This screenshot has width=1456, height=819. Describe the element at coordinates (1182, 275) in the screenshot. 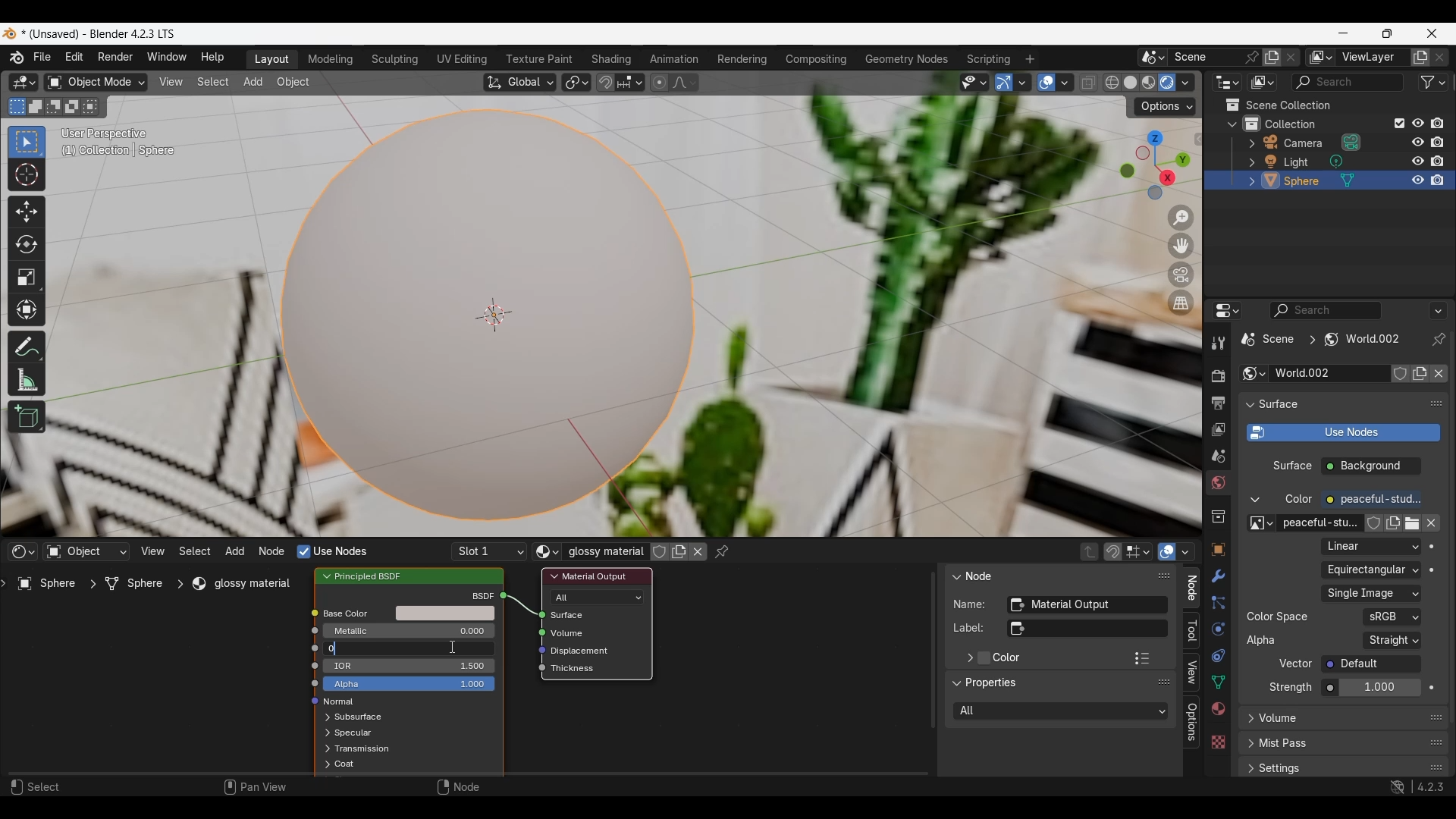

I see `Toggle the camera view` at that location.